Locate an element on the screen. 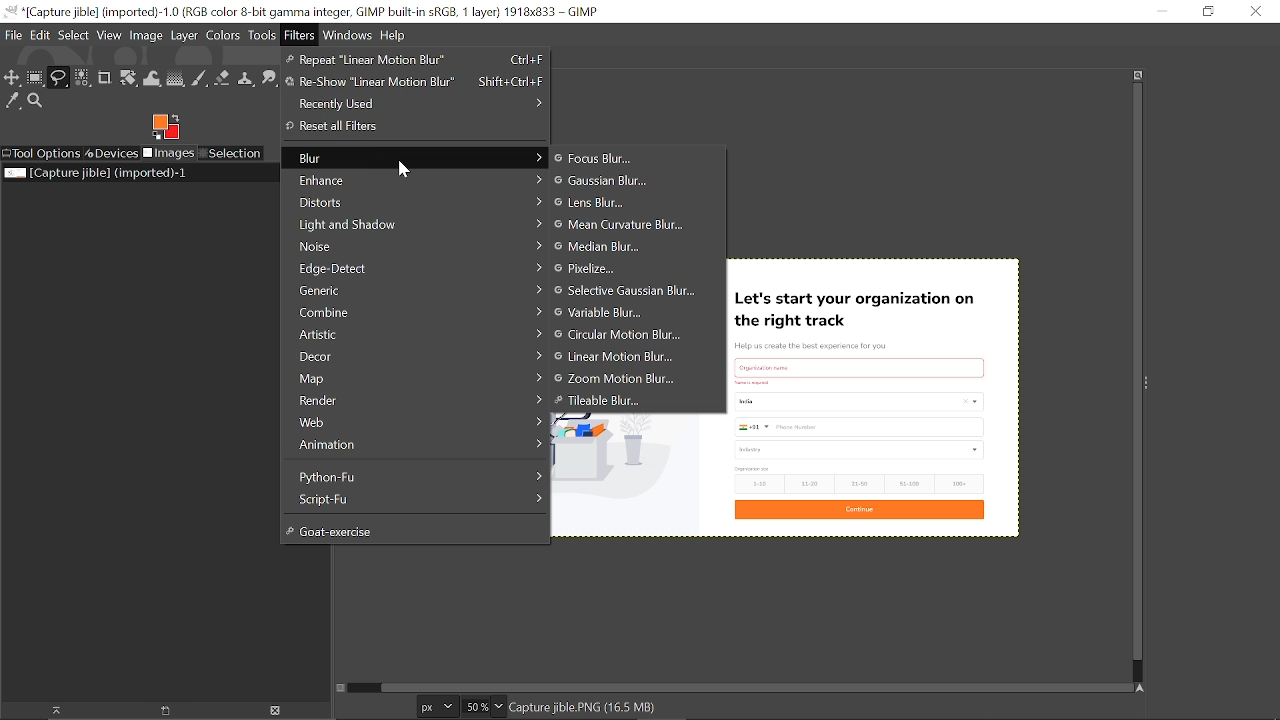 Image resolution: width=1280 pixels, height=720 pixels. Devices is located at coordinates (112, 152).